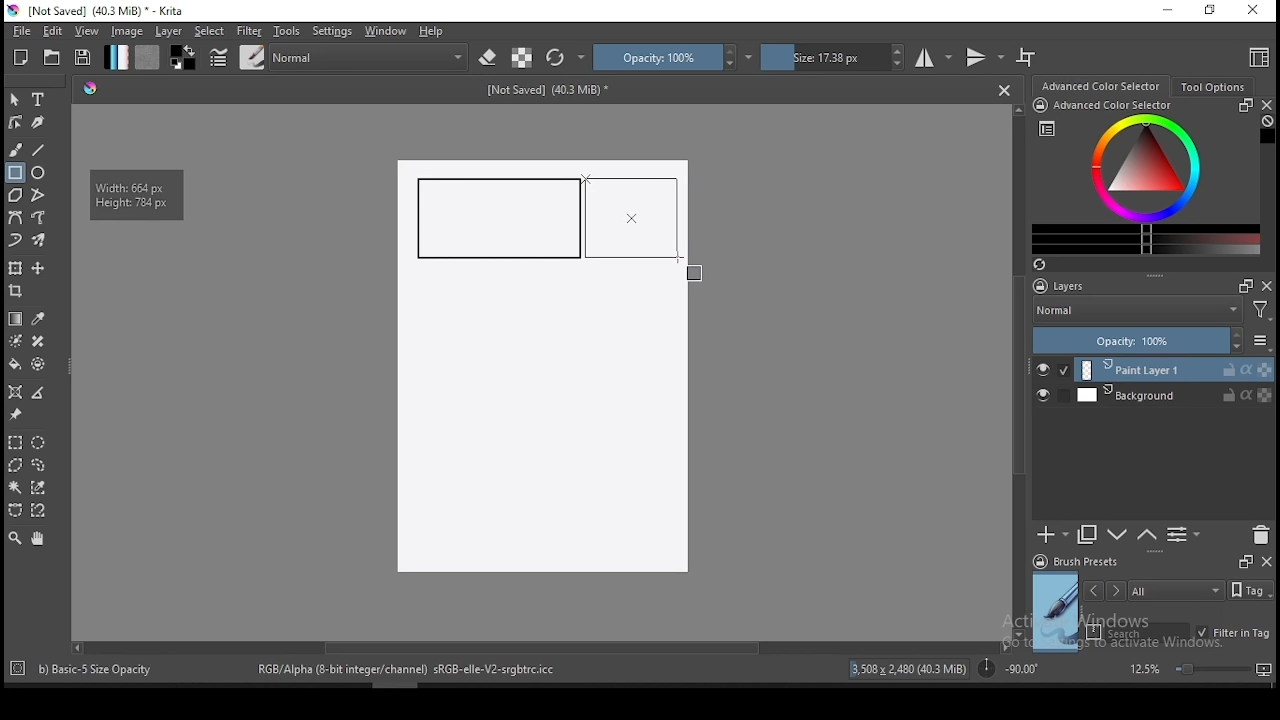 The image size is (1280, 720). I want to click on bezier curve selection tool, so click(15, 511).